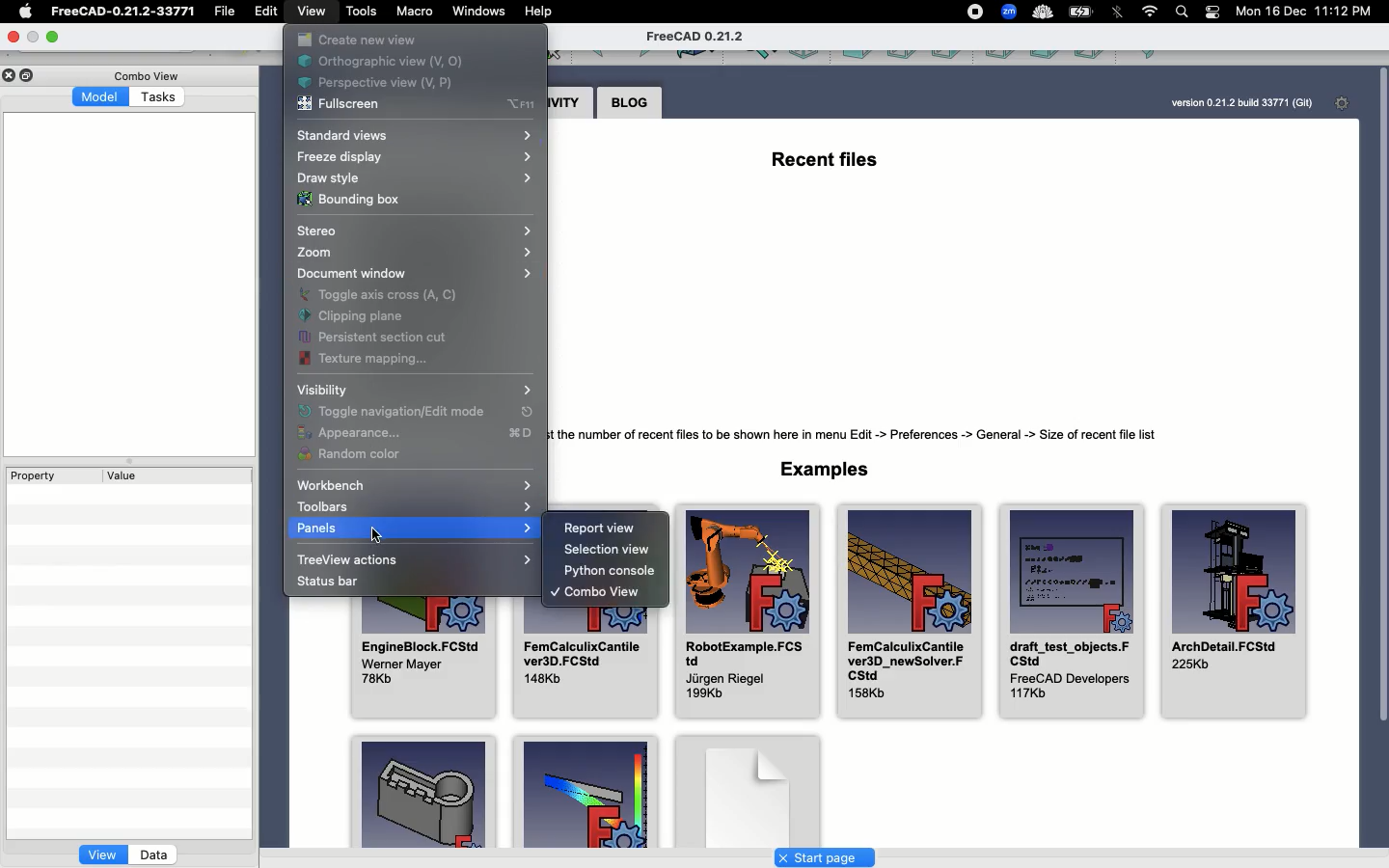 The image size is (1389, 868). I want to click on Edit, so click(264, 14).